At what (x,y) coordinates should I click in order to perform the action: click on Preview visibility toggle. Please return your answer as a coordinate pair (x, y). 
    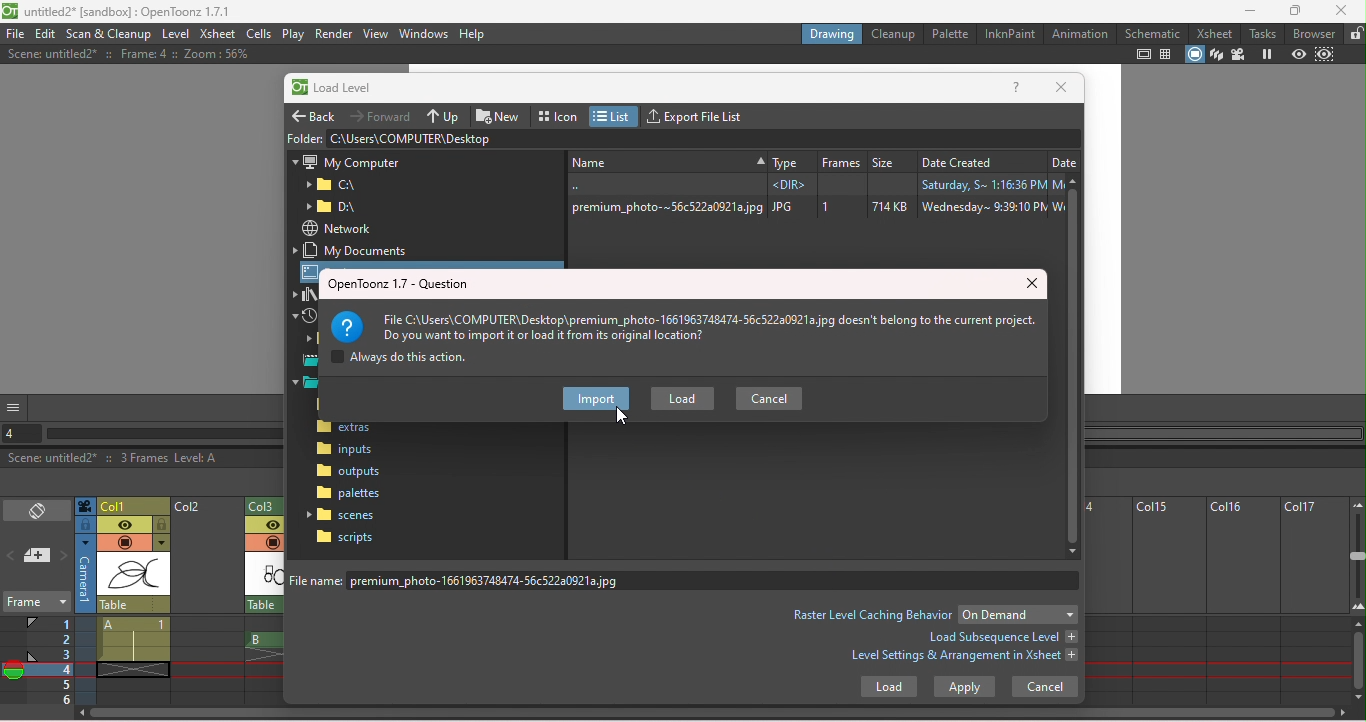
    Looking at the image, I should click on (124, 525).